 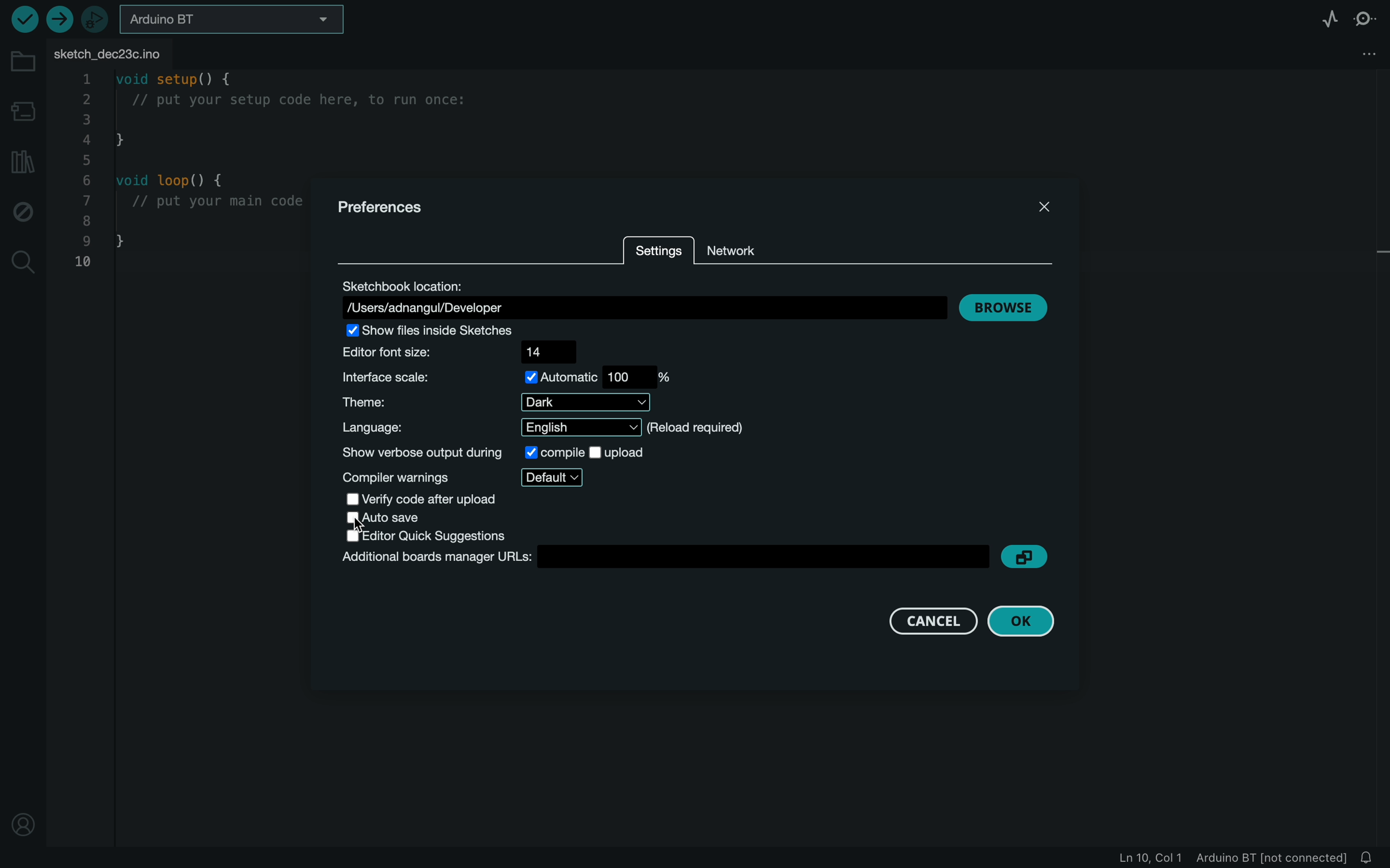 I want to click on font size, so click(x=472, y=351).